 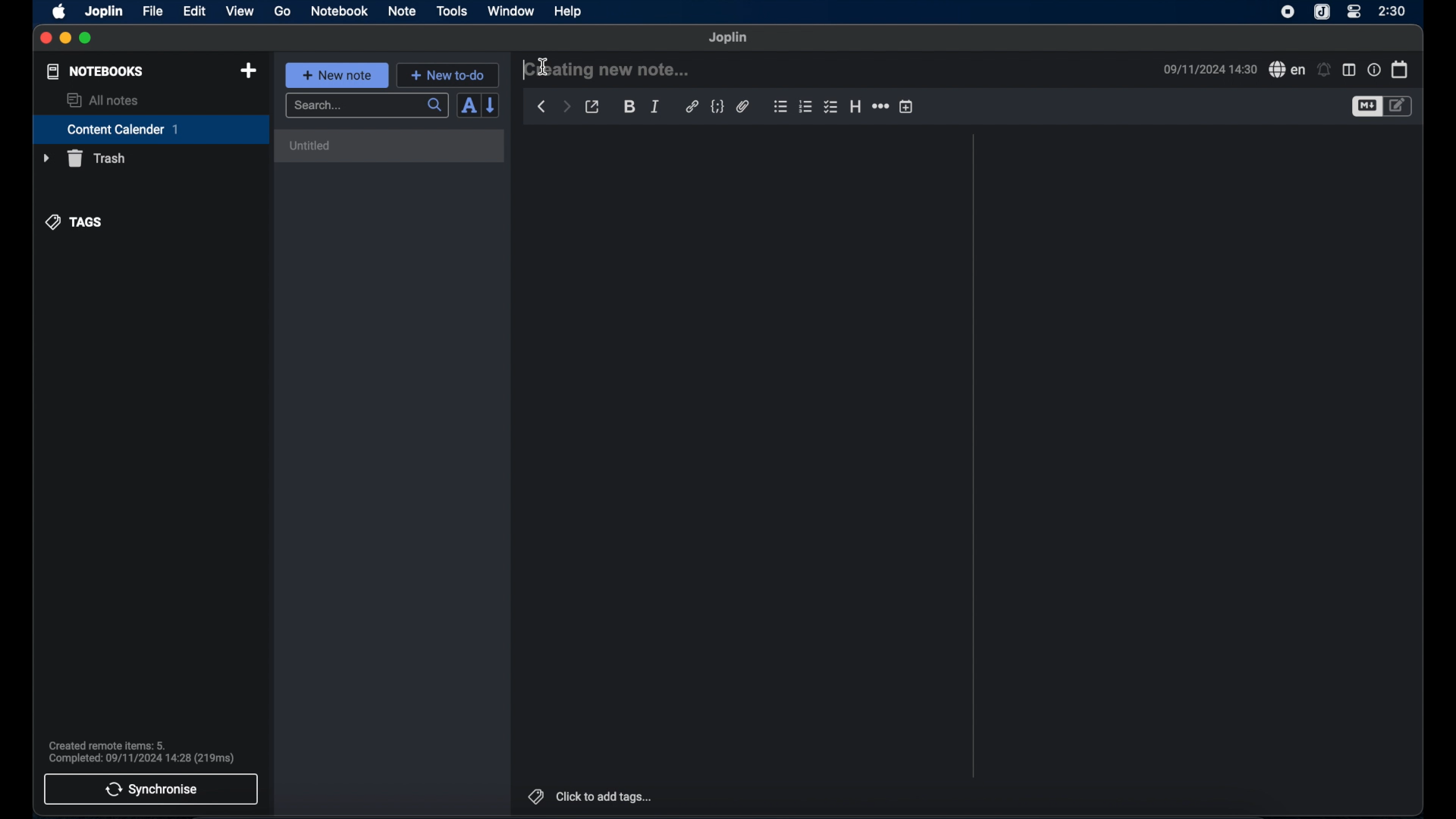 I want to click on control center, so click(x=1354, y=12).